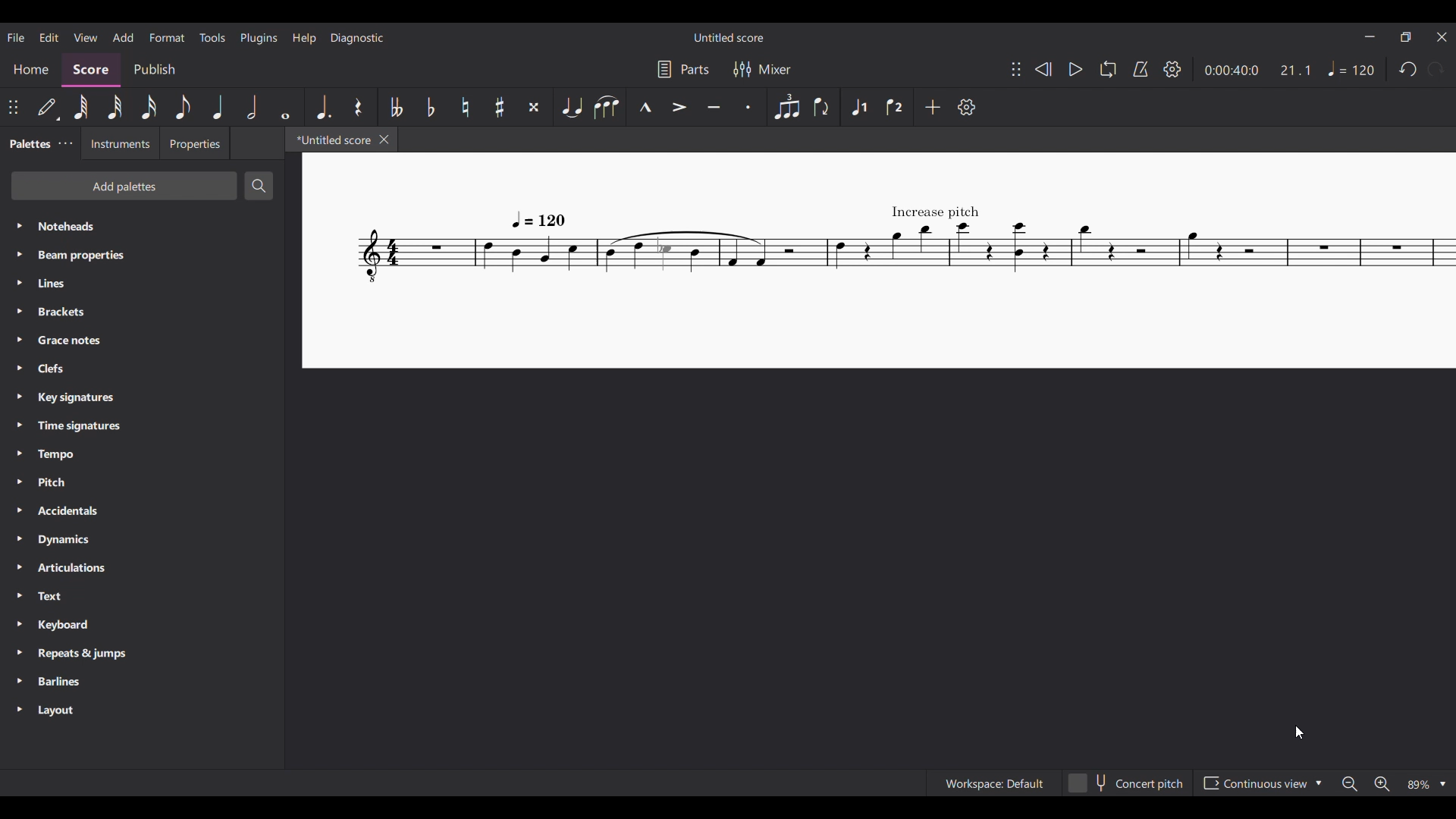  Describe the element at coordinates (762, 69) in the screenshot. I see `Mixer settings` at that location.